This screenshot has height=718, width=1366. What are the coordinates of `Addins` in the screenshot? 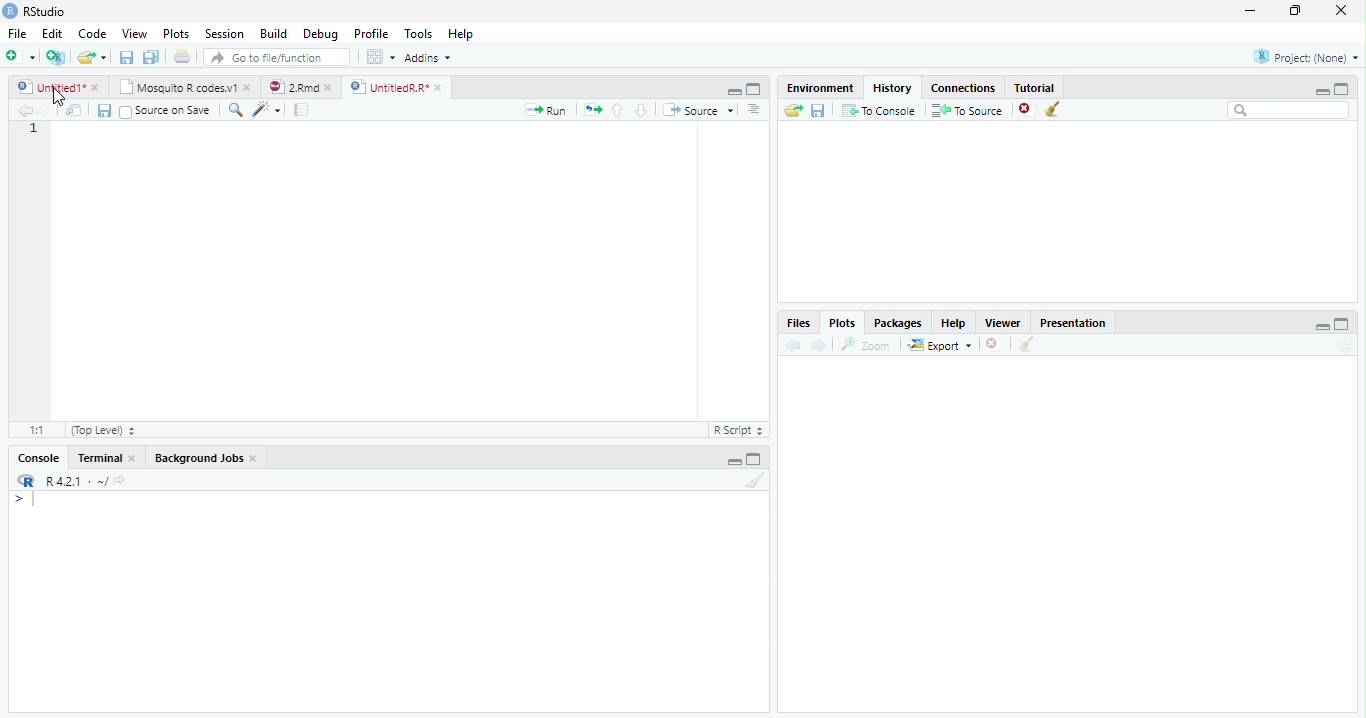 It's located at (429, 59).